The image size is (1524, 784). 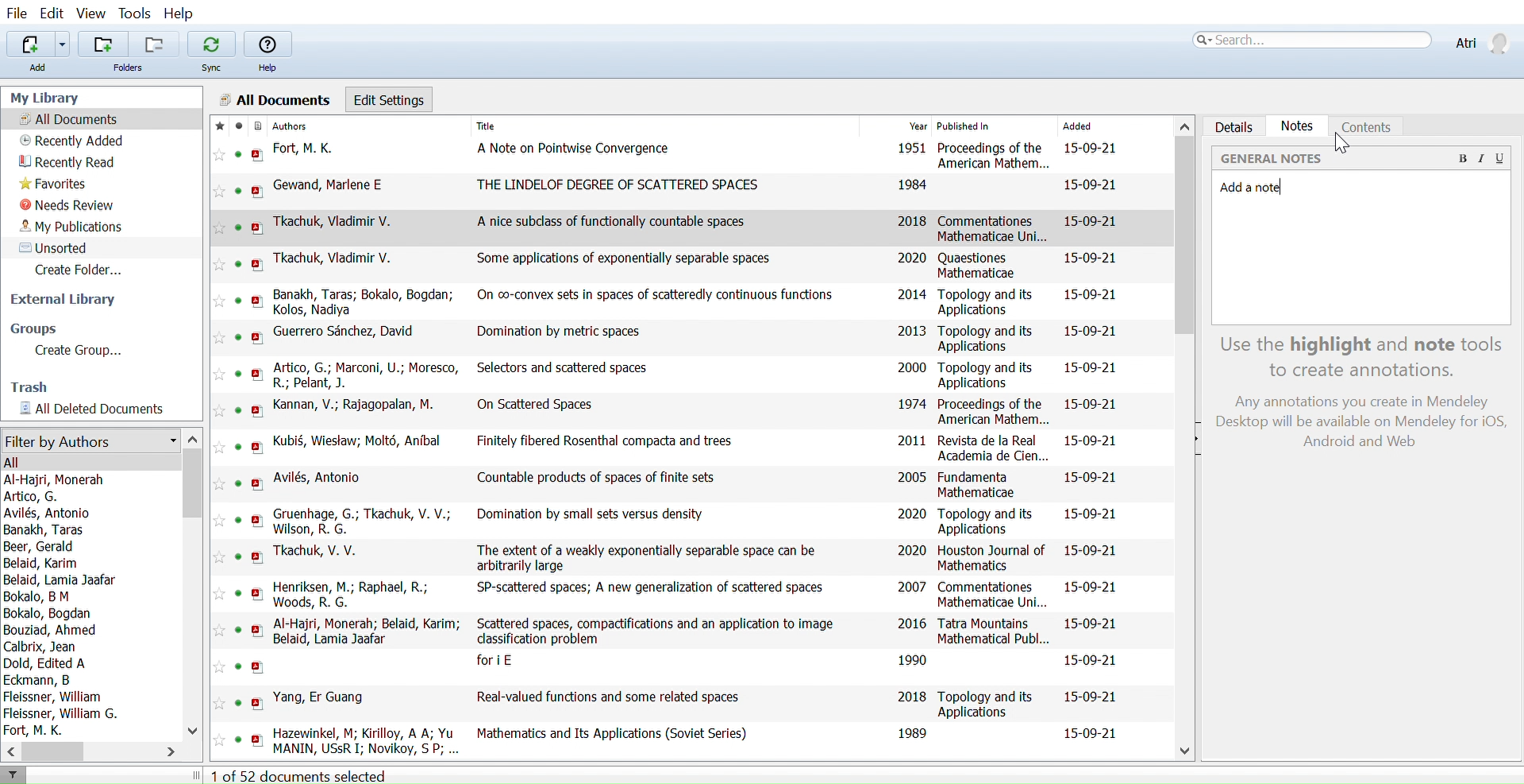 I want to click on 15-09-21, so click(x=1094, y=221).